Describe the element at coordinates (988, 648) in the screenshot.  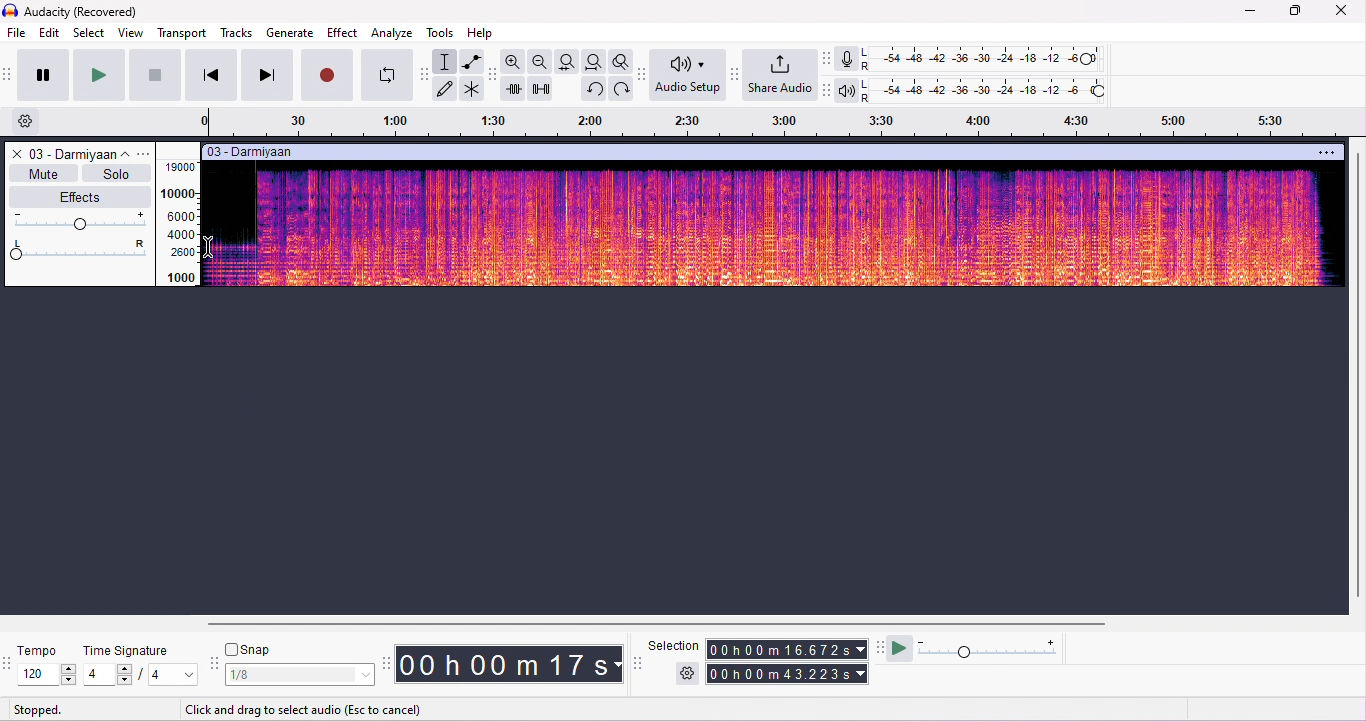
I see `playback speed` at that location.